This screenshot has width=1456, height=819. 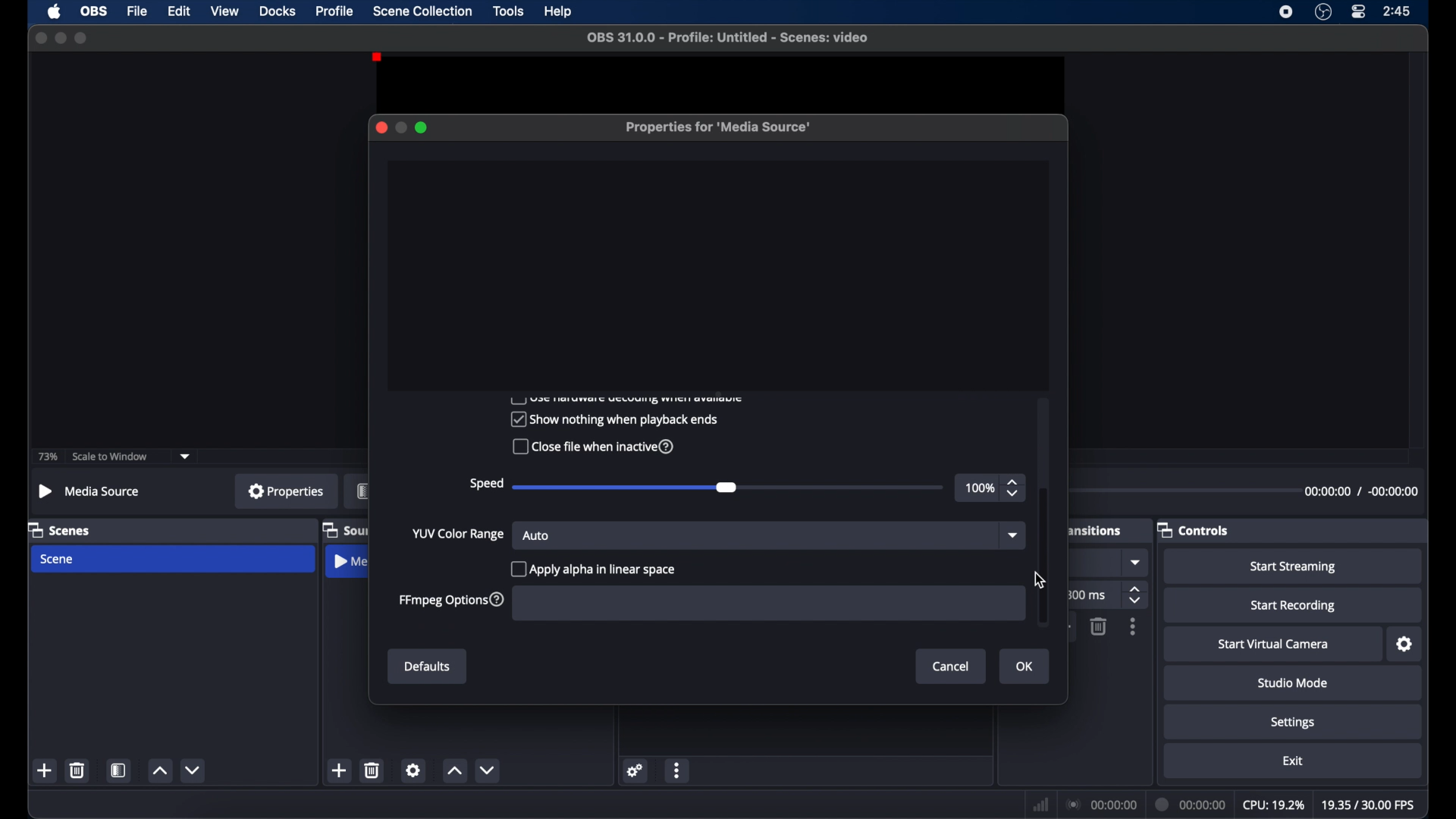 I want to click on view, so click(x=224, y=11).